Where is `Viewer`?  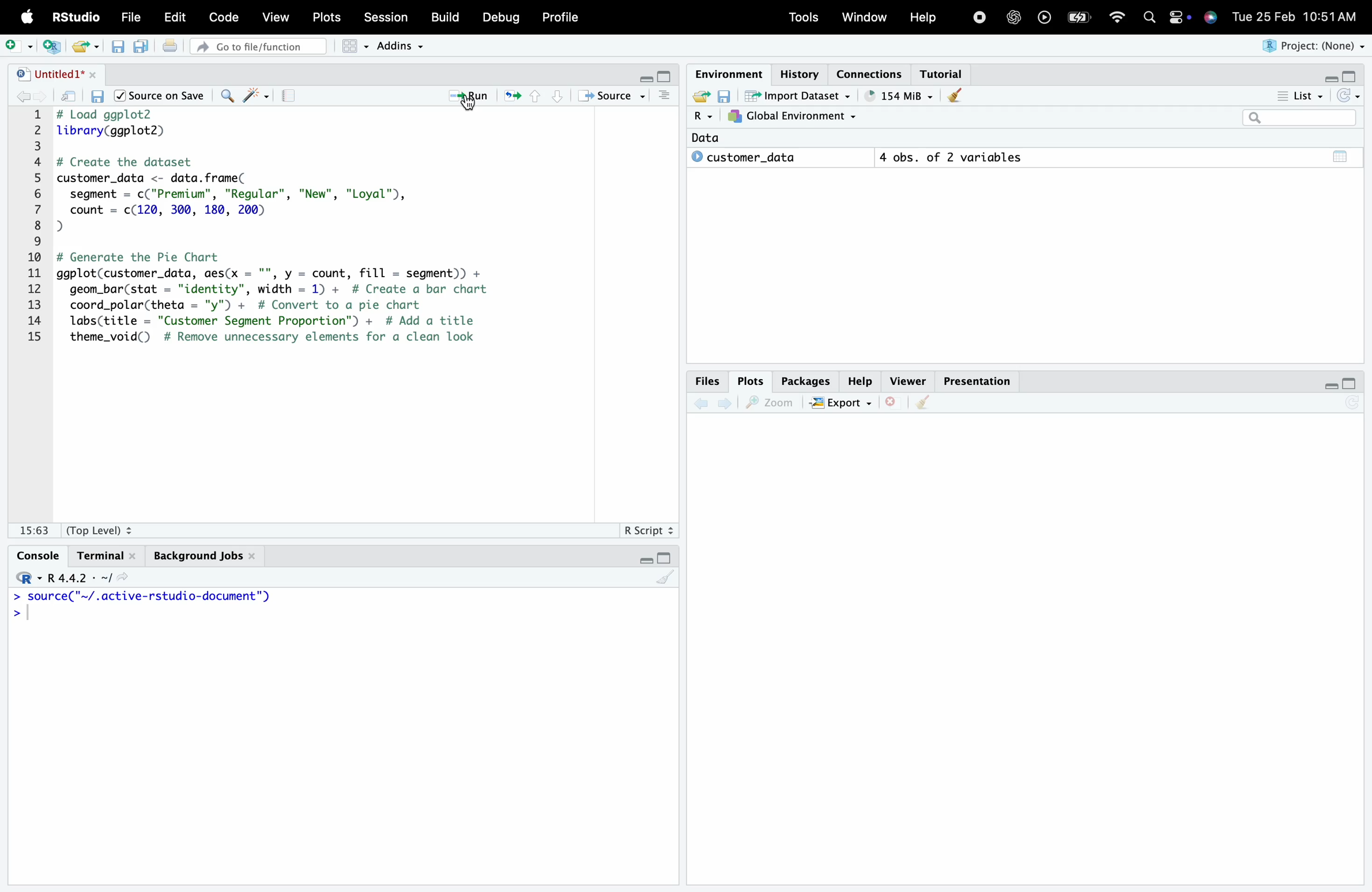
Viewer is located at coordinates (907, 379).